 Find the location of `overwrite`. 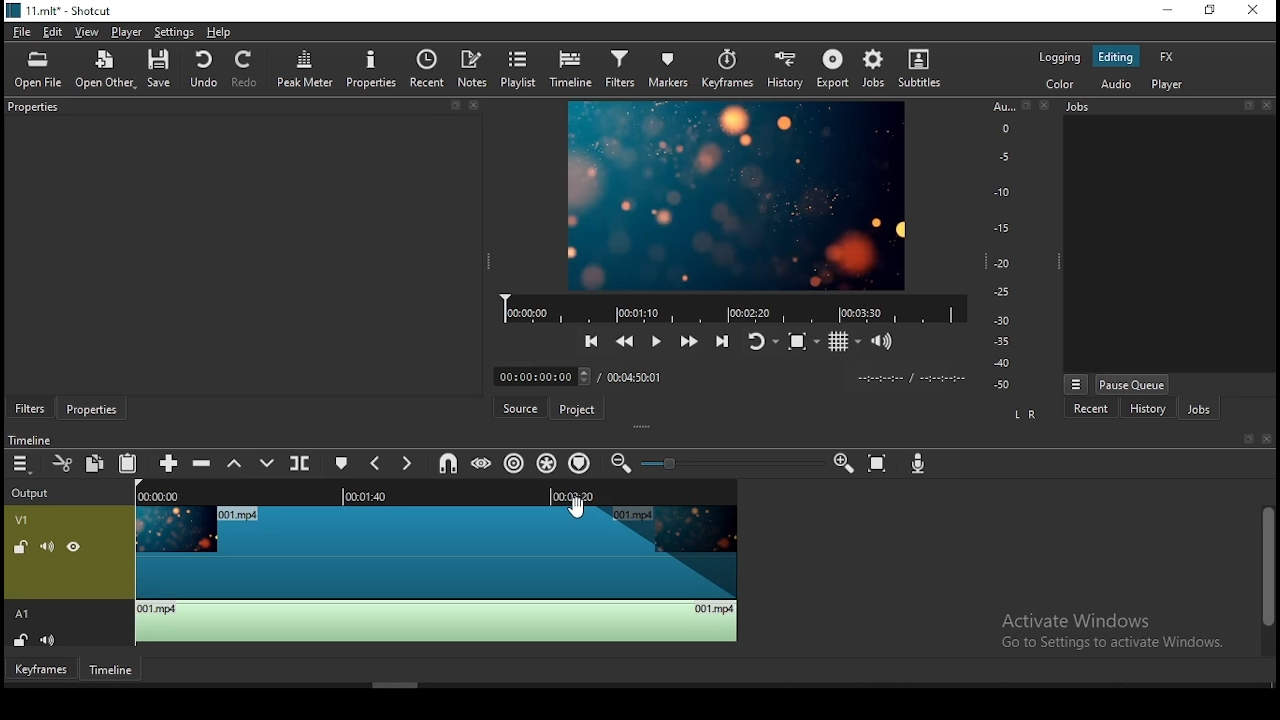

overwrite is located at coordinates (267, 462).